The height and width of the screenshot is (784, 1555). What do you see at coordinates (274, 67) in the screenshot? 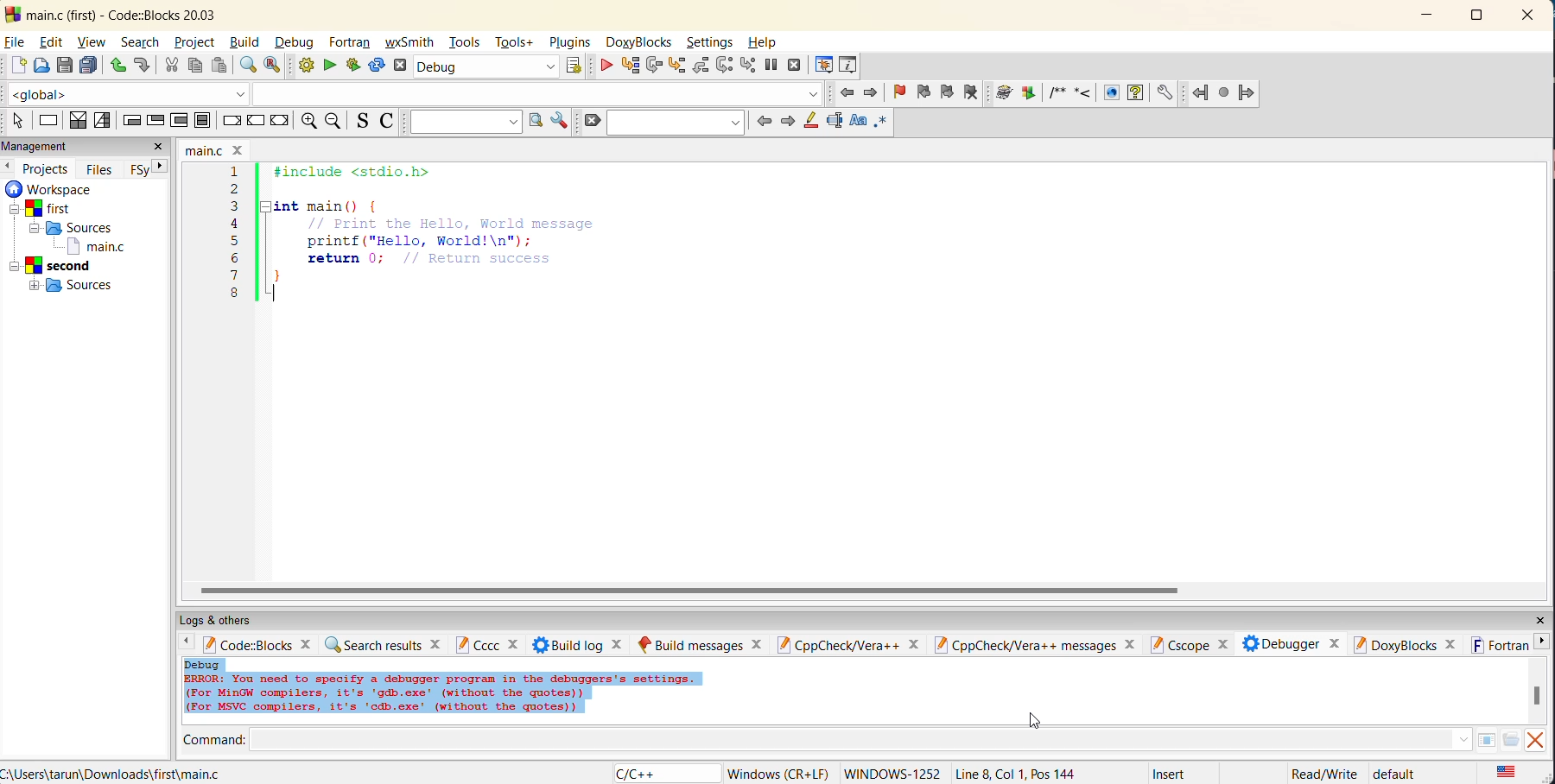
I see `replace` at bounding box center [274, 67].